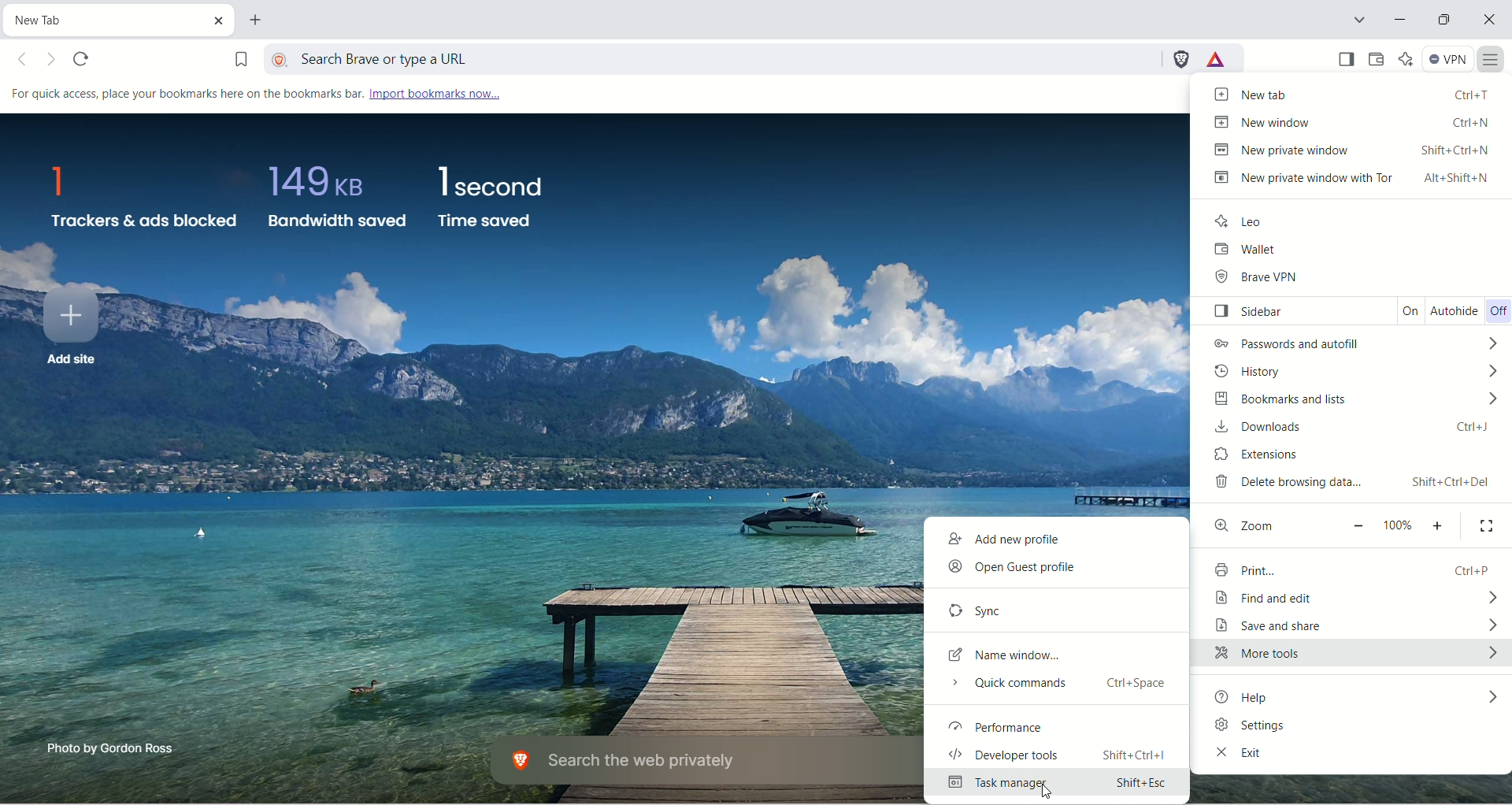 Image resolution: width=1512 pixels, height=805 pixels. Describe the element at coordinates (1359, 311) in the screenshot. I see `sidebar` at that location.